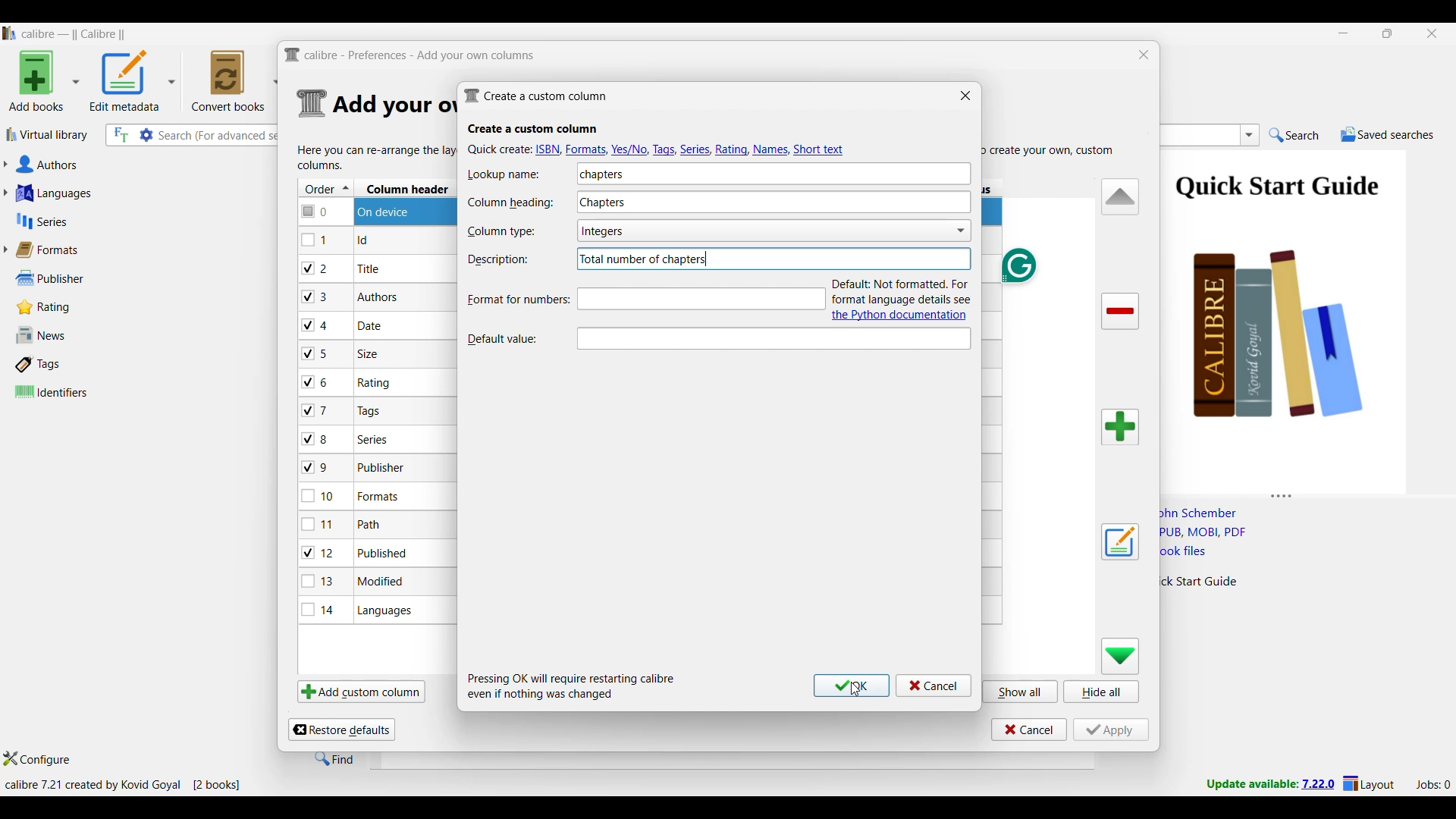 The height and width of the screenshot is (819, 1456). I want to click on Convert books options, so click(235, 80).